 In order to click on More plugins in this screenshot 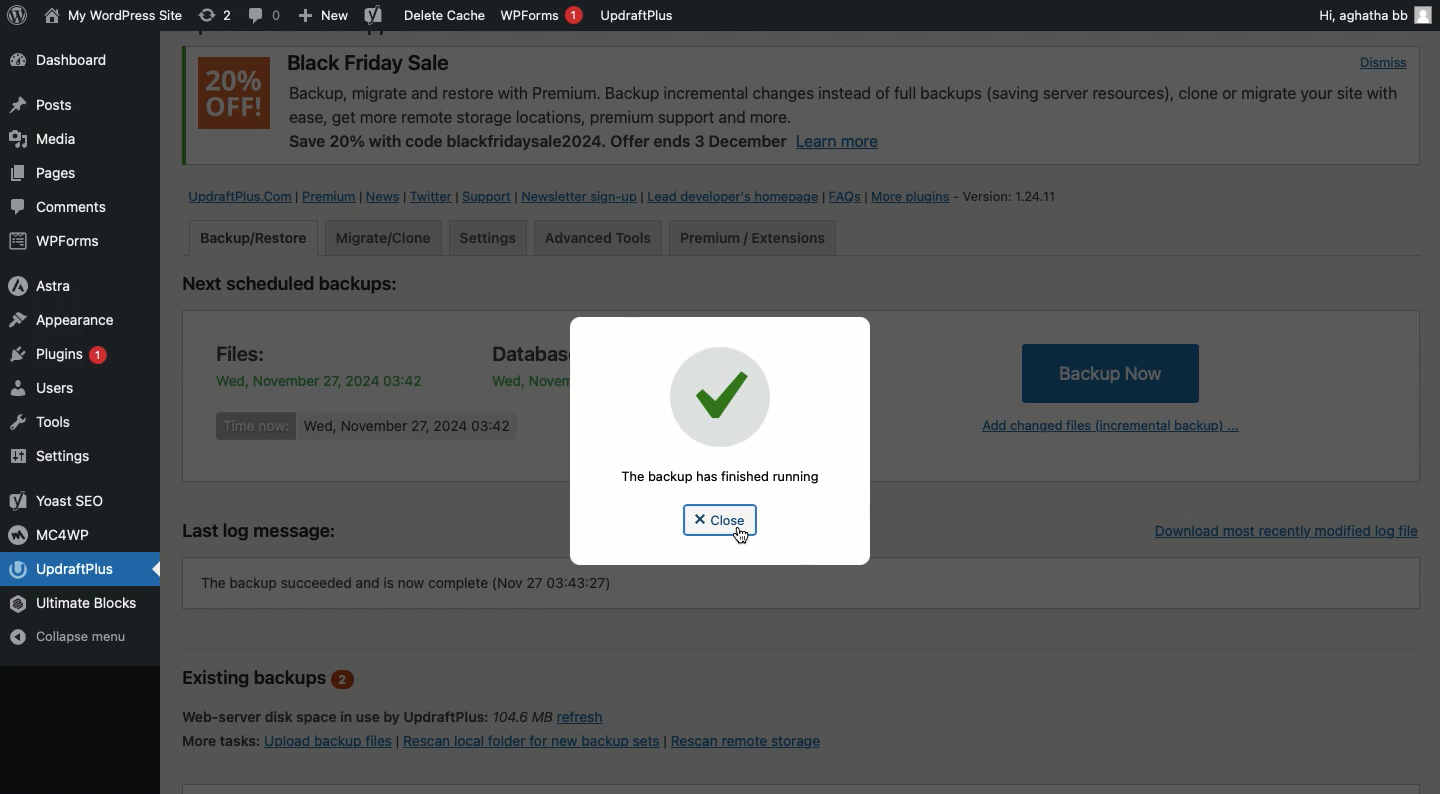, I will do `click(915, 196)`.